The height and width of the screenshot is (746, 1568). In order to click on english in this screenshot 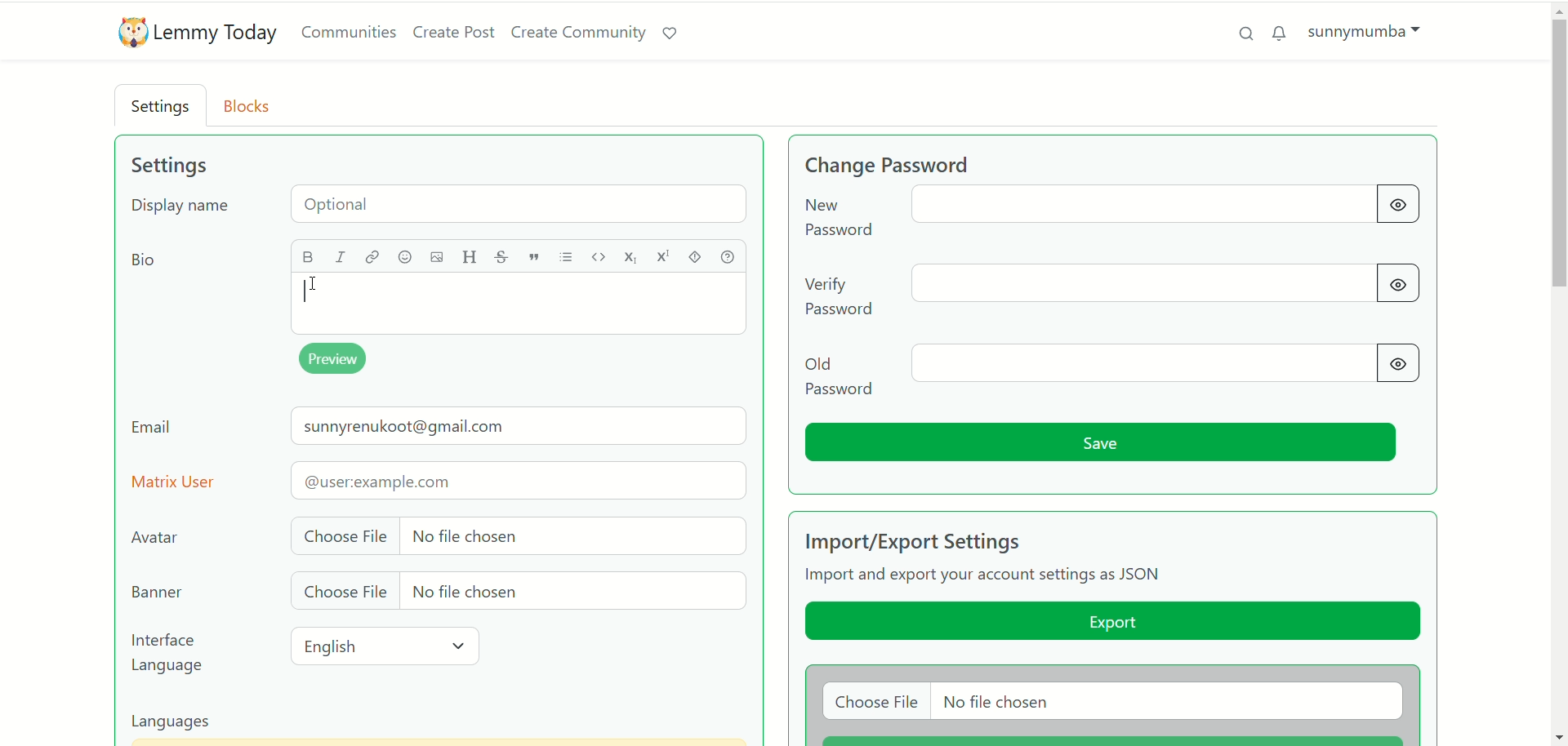, I will do `click(389, 646)`.